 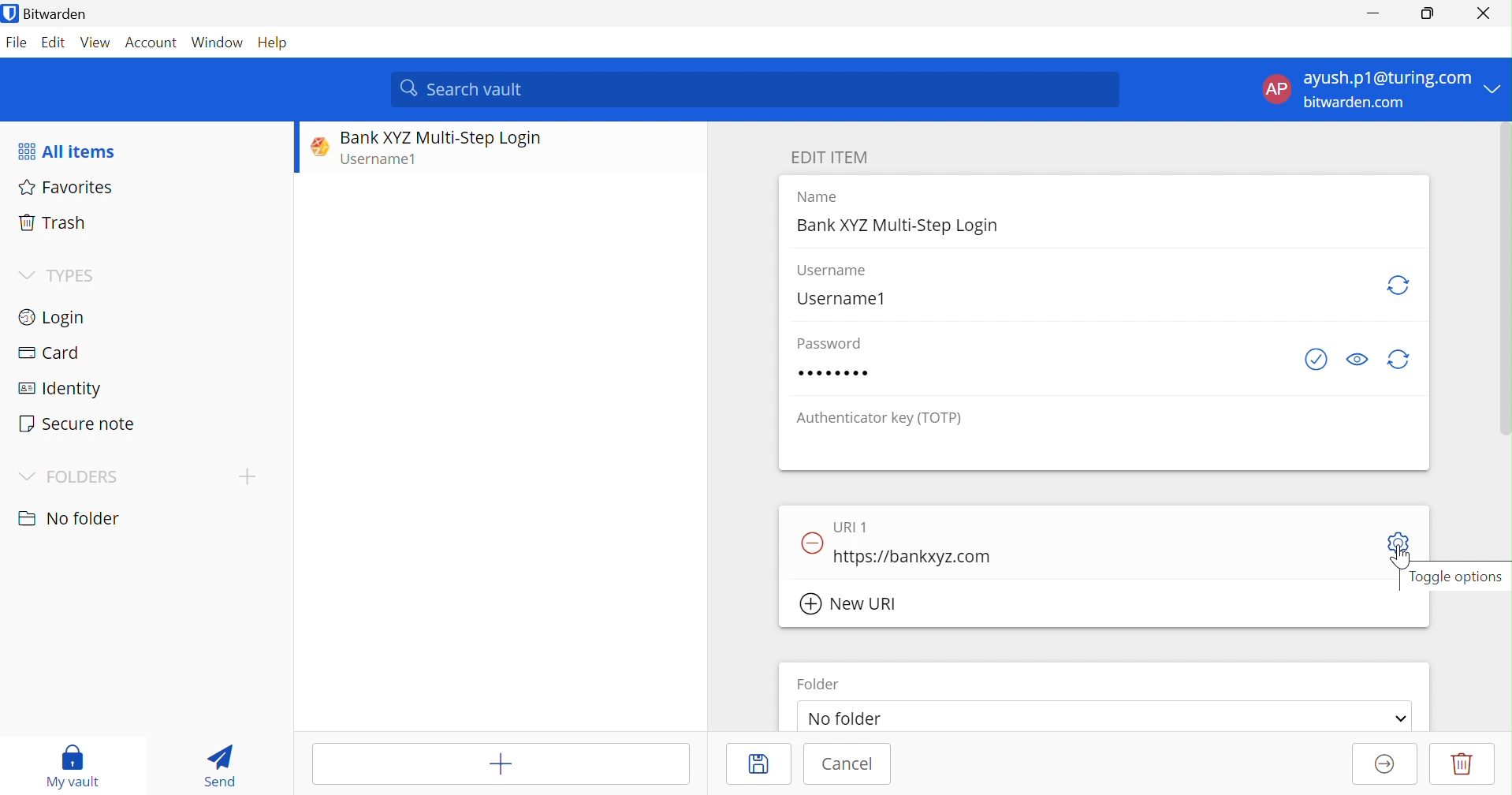 What do you see at coordinates (1387, 80) in the screenshot?
I see `ayush.p1@turing.com` at bounding box center [1387, 80].